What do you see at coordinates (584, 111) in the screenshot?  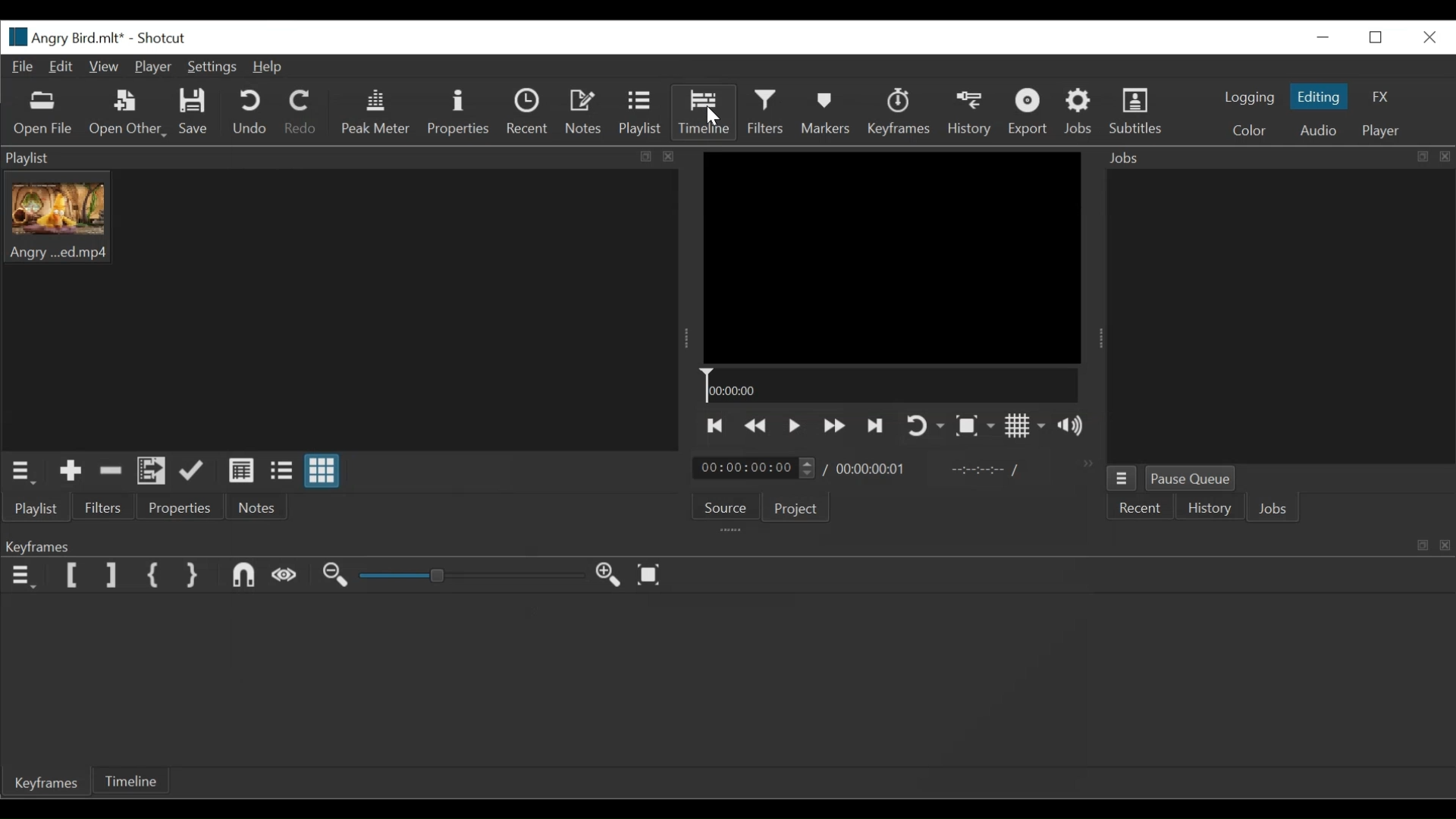 I see `Notes` at bounding box center [584, 111].